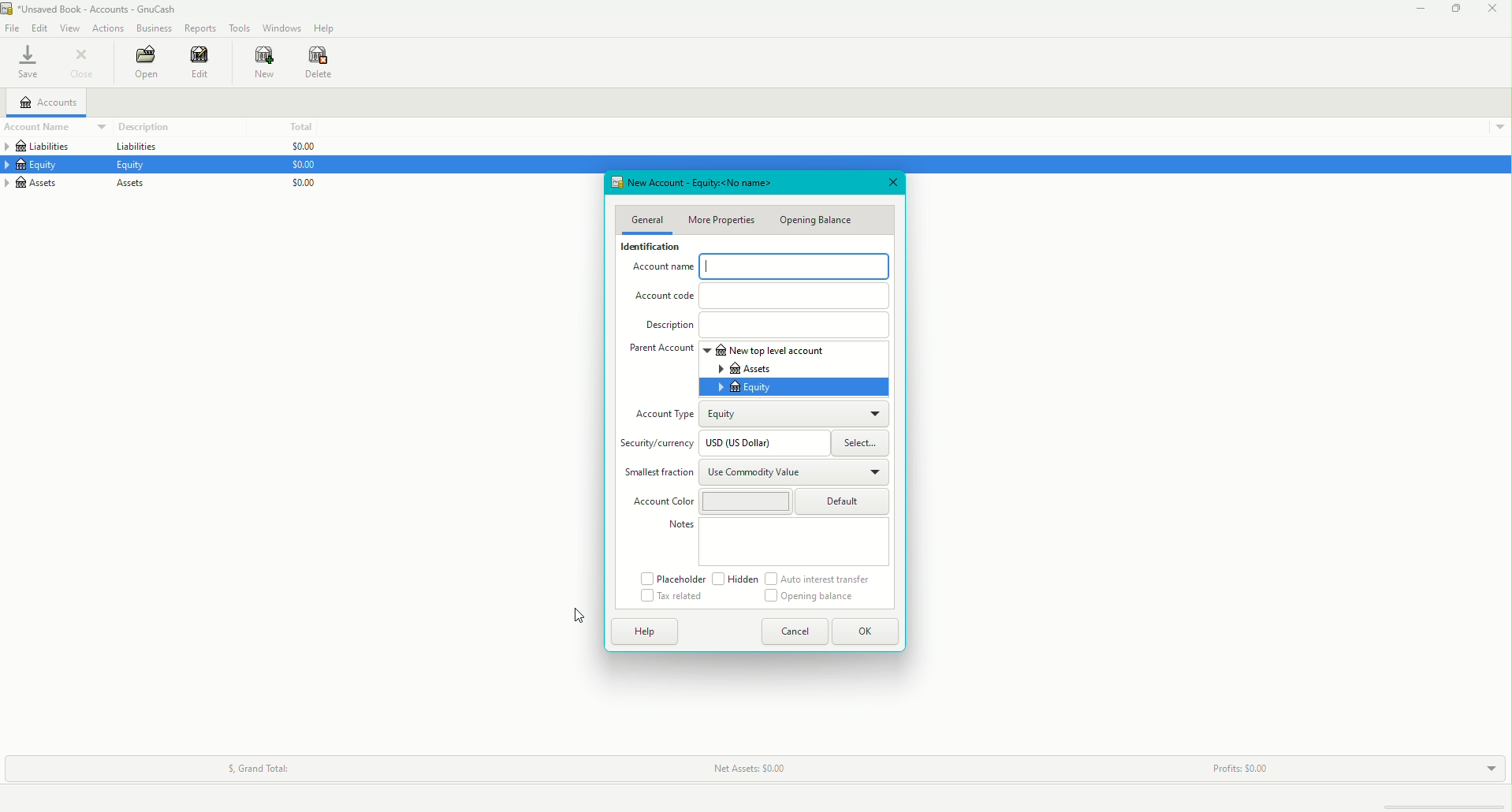  What do you see at coordinates (37, 26) in the screenshot?
I see `Edit` at bounding box center [37, 26].